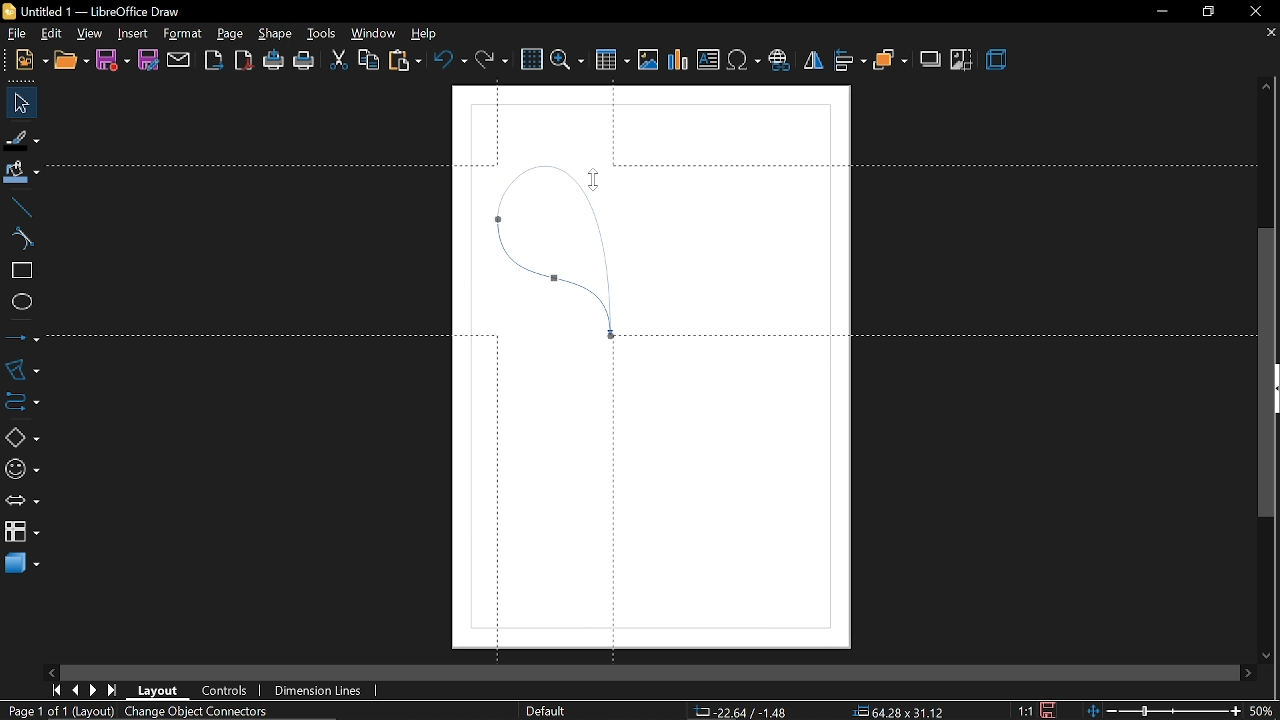  I want to click on restore down, so click(1206, 11).